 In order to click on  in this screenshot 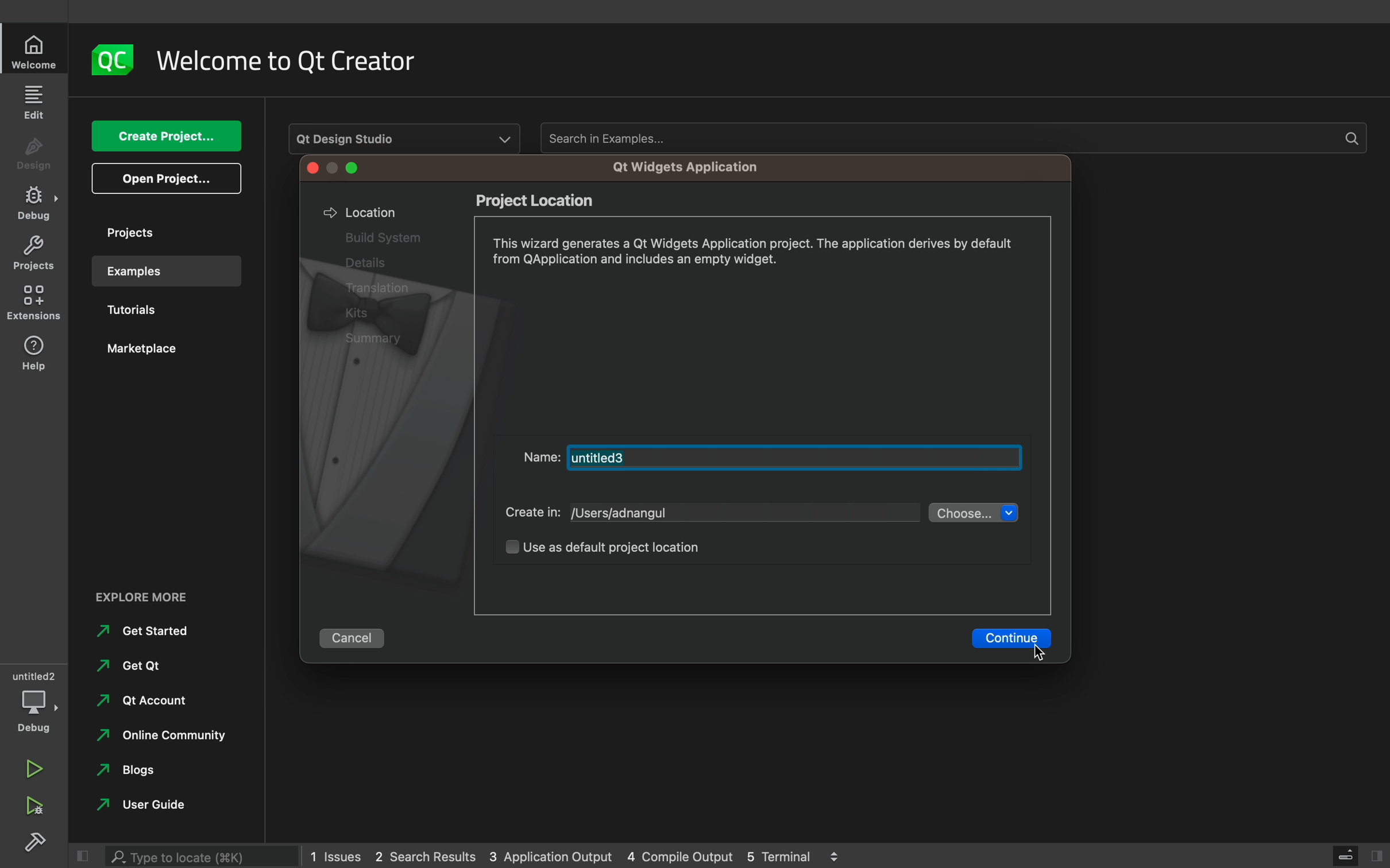, I will do `click(138, 808)`.